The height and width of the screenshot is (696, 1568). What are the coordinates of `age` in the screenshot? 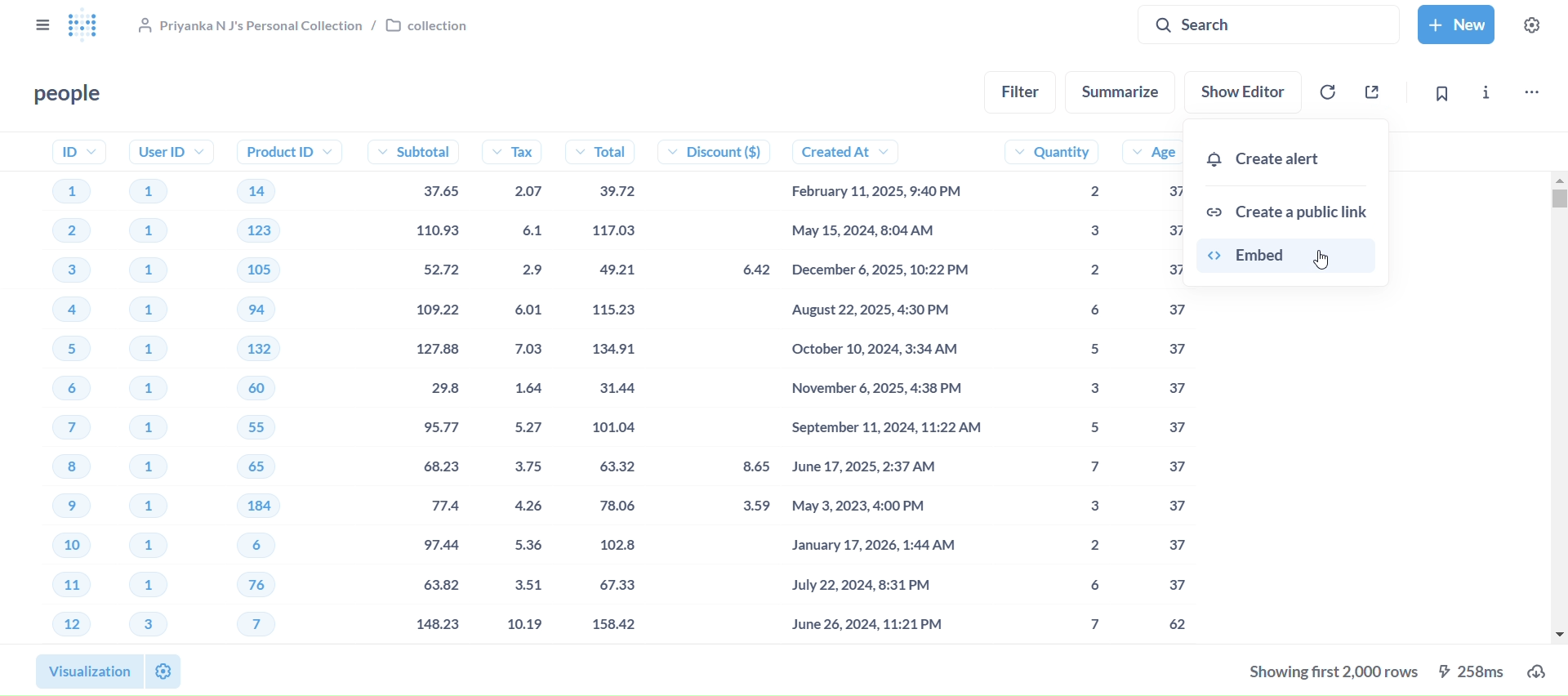 It's located at (1150, 388).